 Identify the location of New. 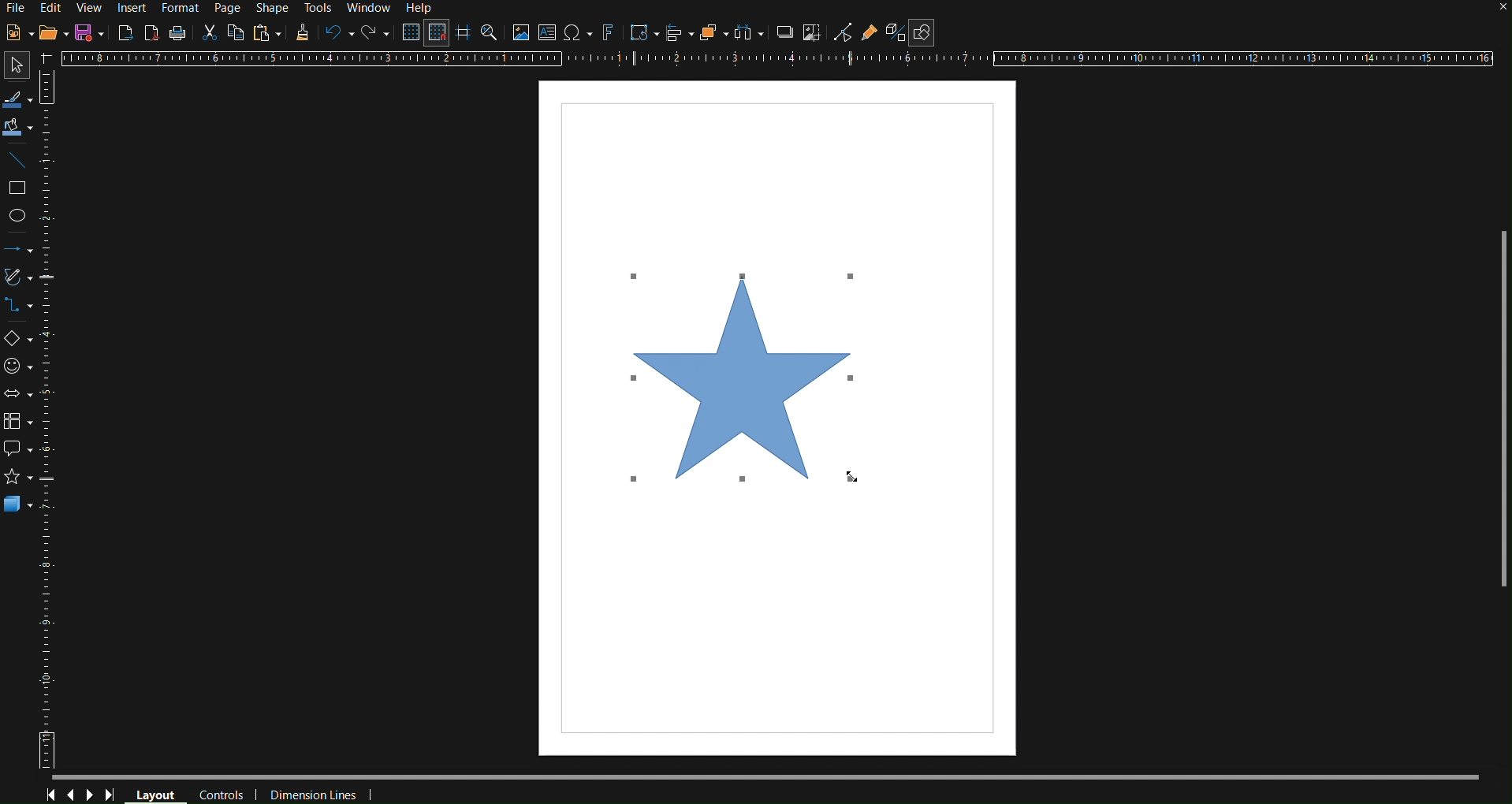
(19, 33).